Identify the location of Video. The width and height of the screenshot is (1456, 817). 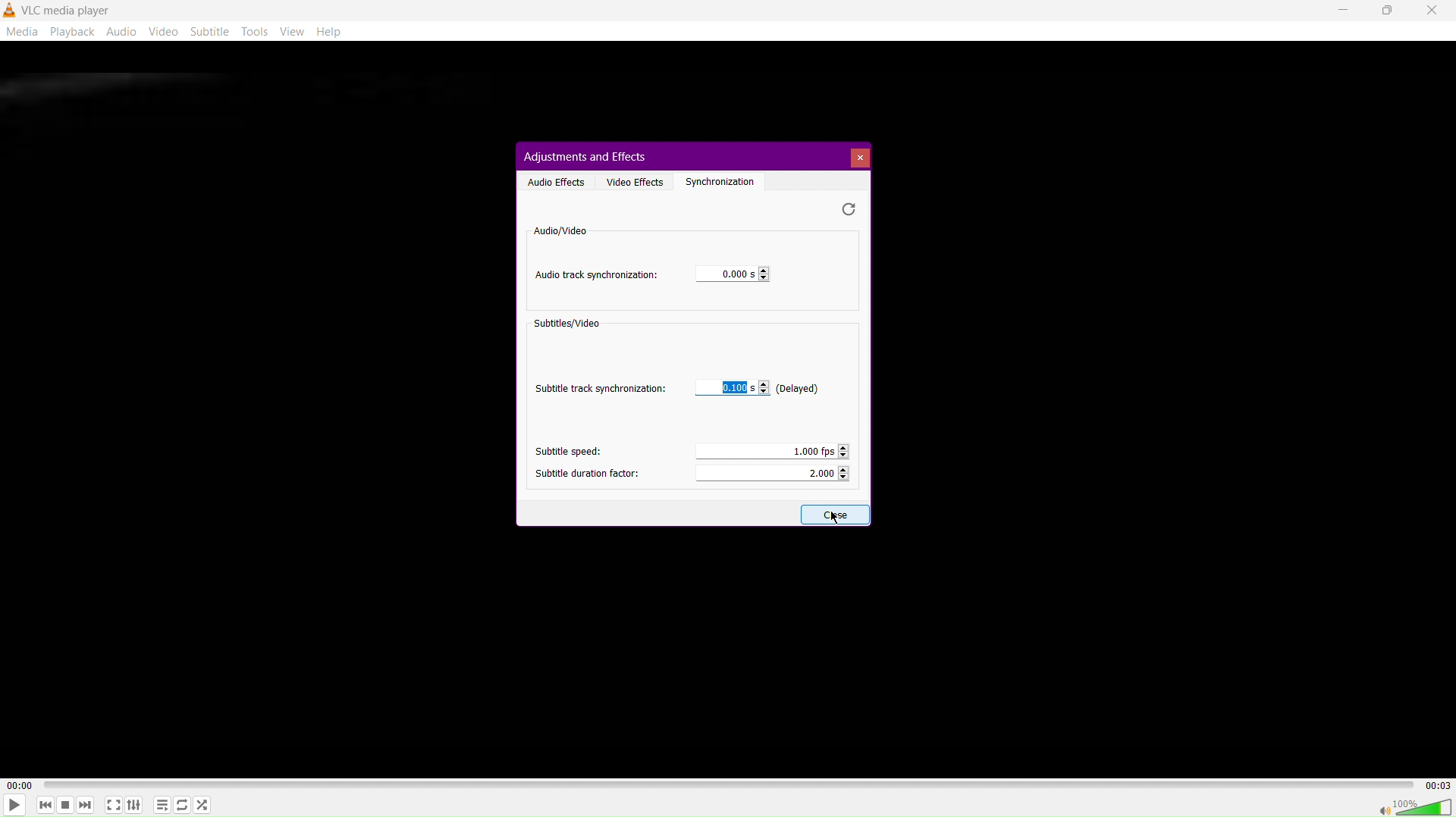
(166, 33).